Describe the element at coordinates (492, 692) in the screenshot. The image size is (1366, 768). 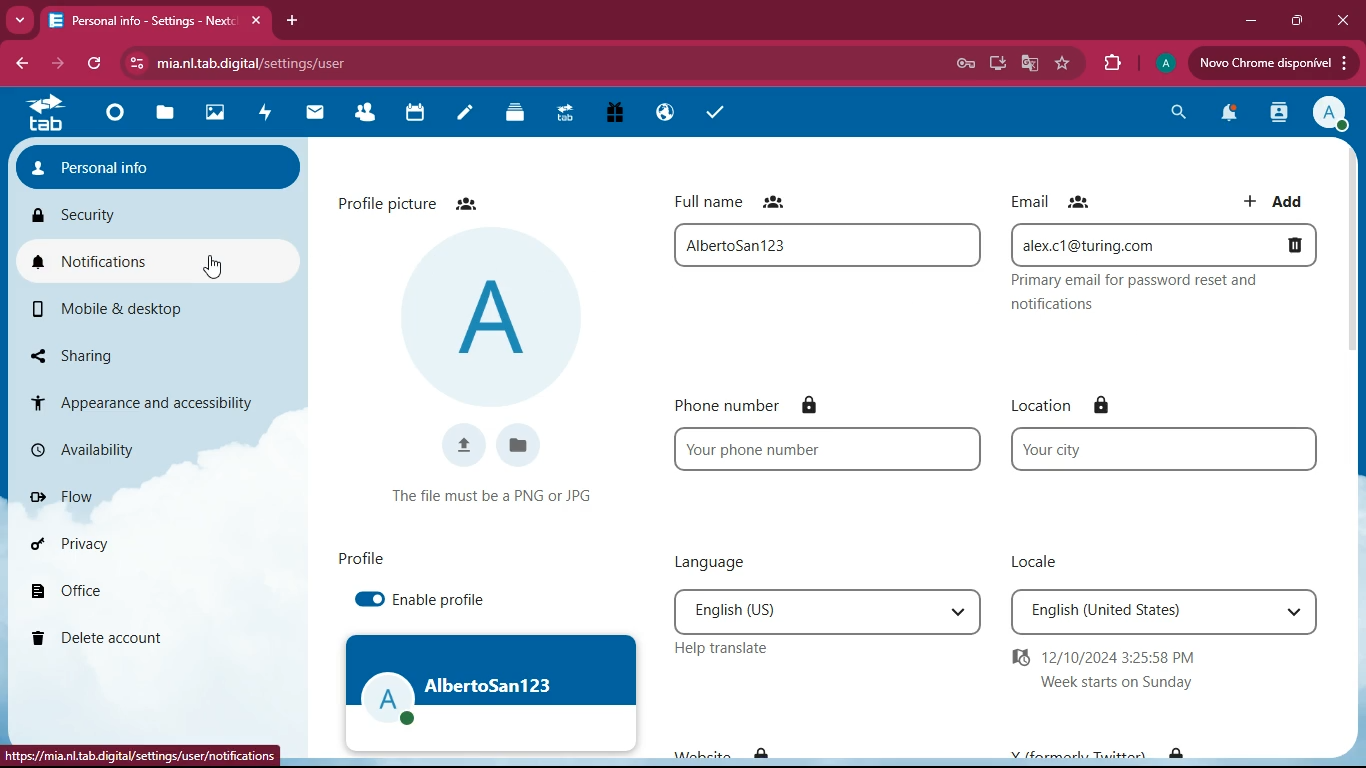
I see `profile` at that location.